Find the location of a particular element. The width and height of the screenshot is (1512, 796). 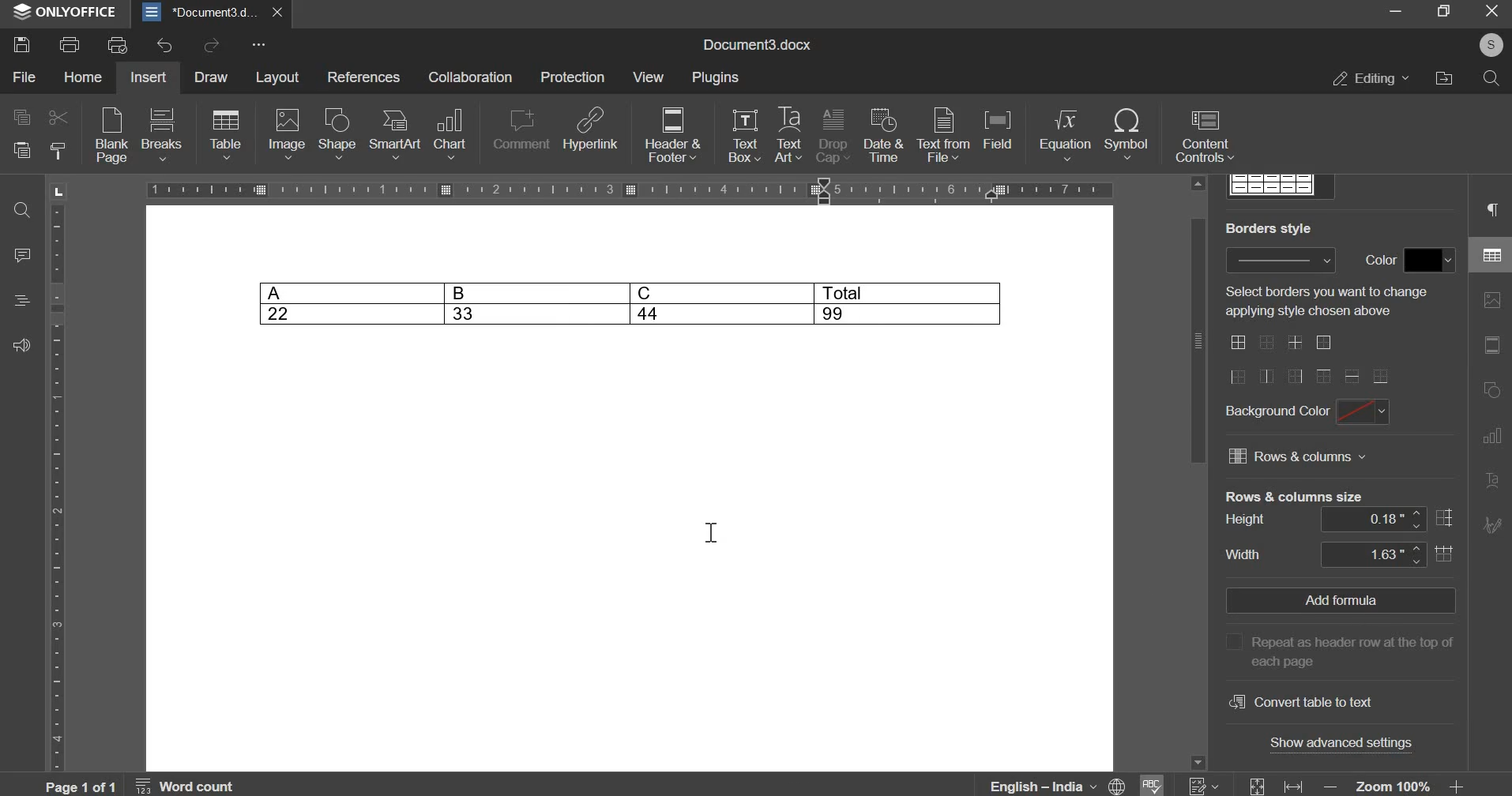

symbol is located at coordinates (1127, 134).